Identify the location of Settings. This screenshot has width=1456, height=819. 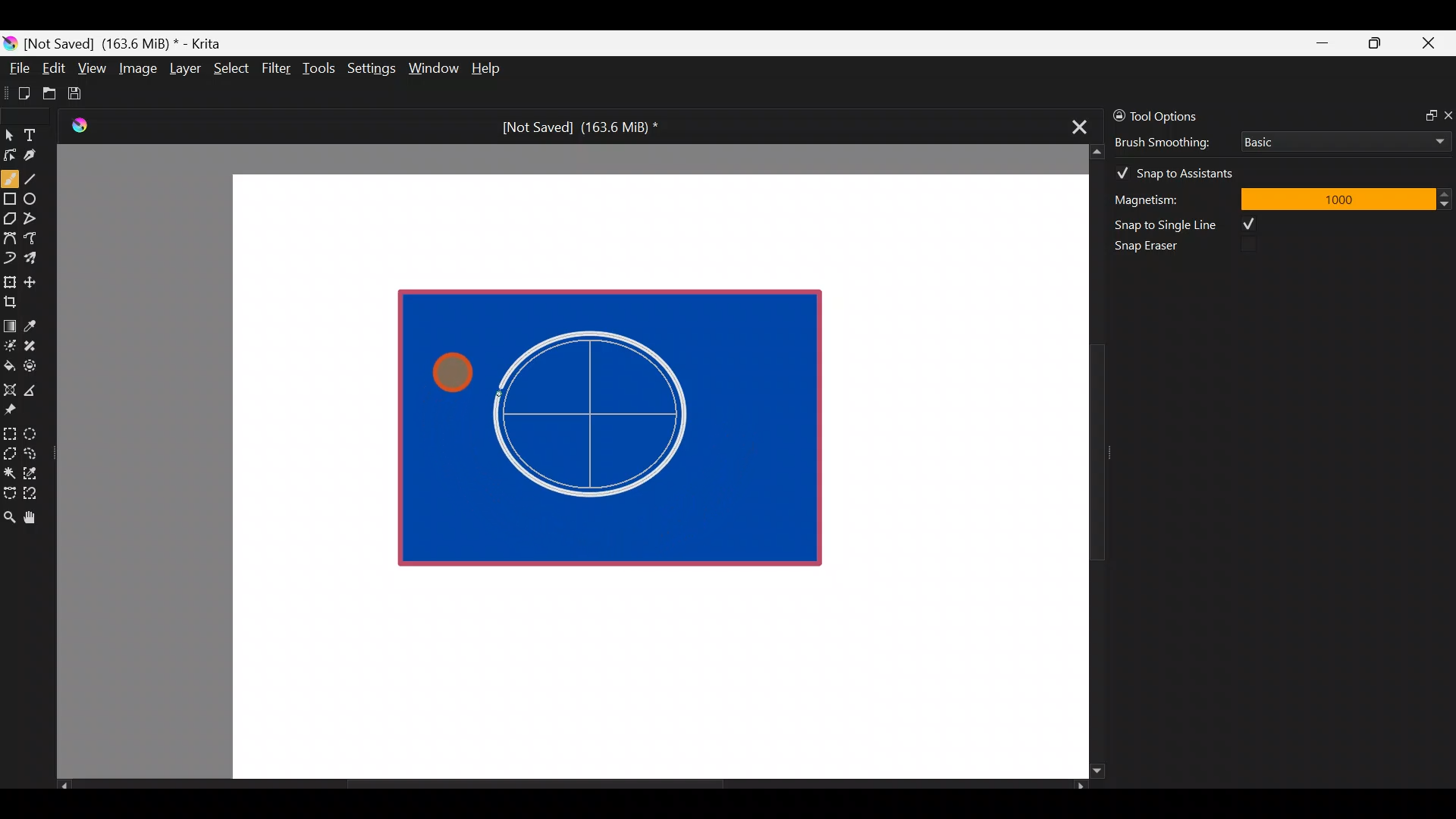
(373, 71).